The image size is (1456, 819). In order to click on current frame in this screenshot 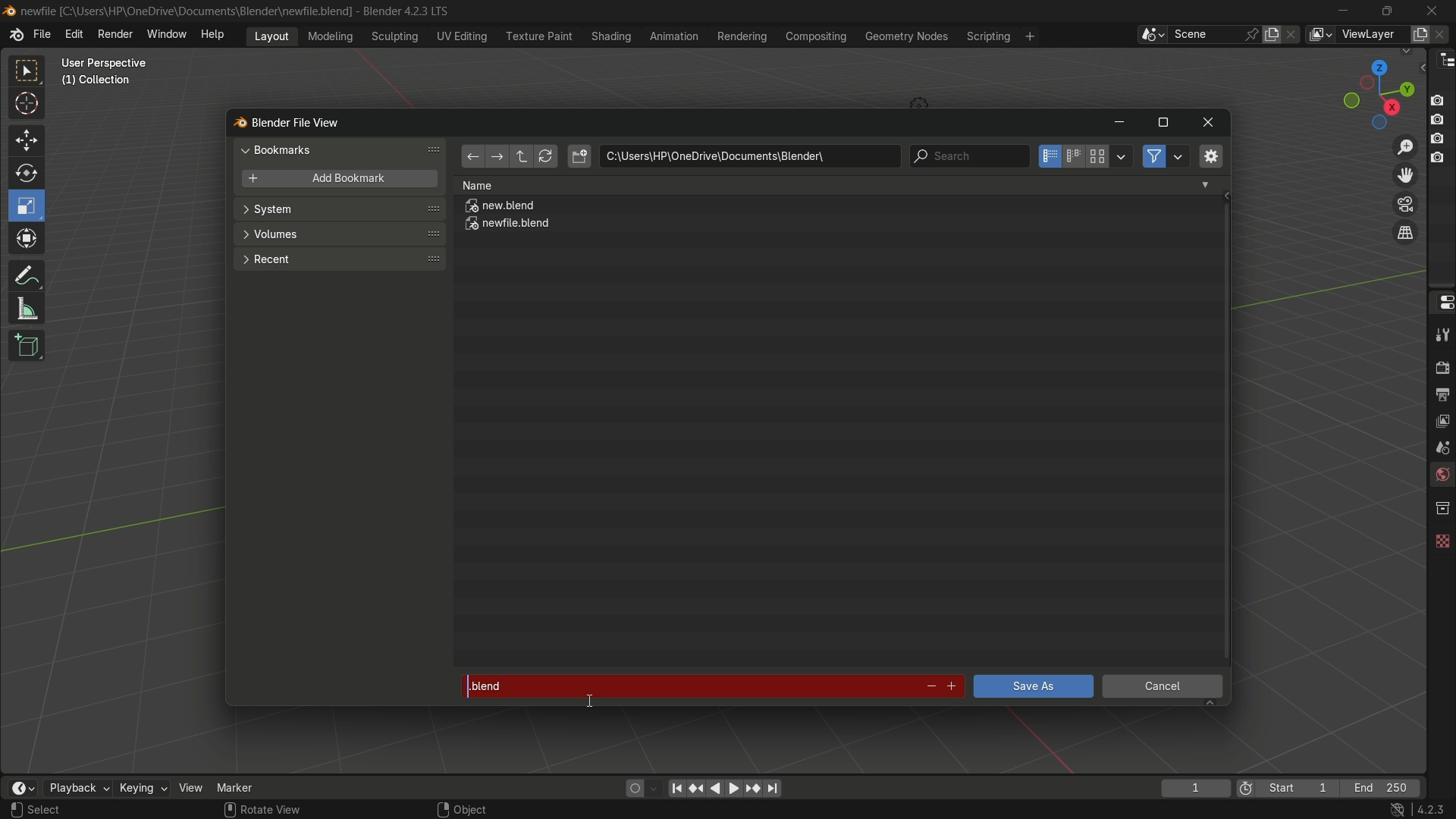, I will do `click(1194, 788)`.